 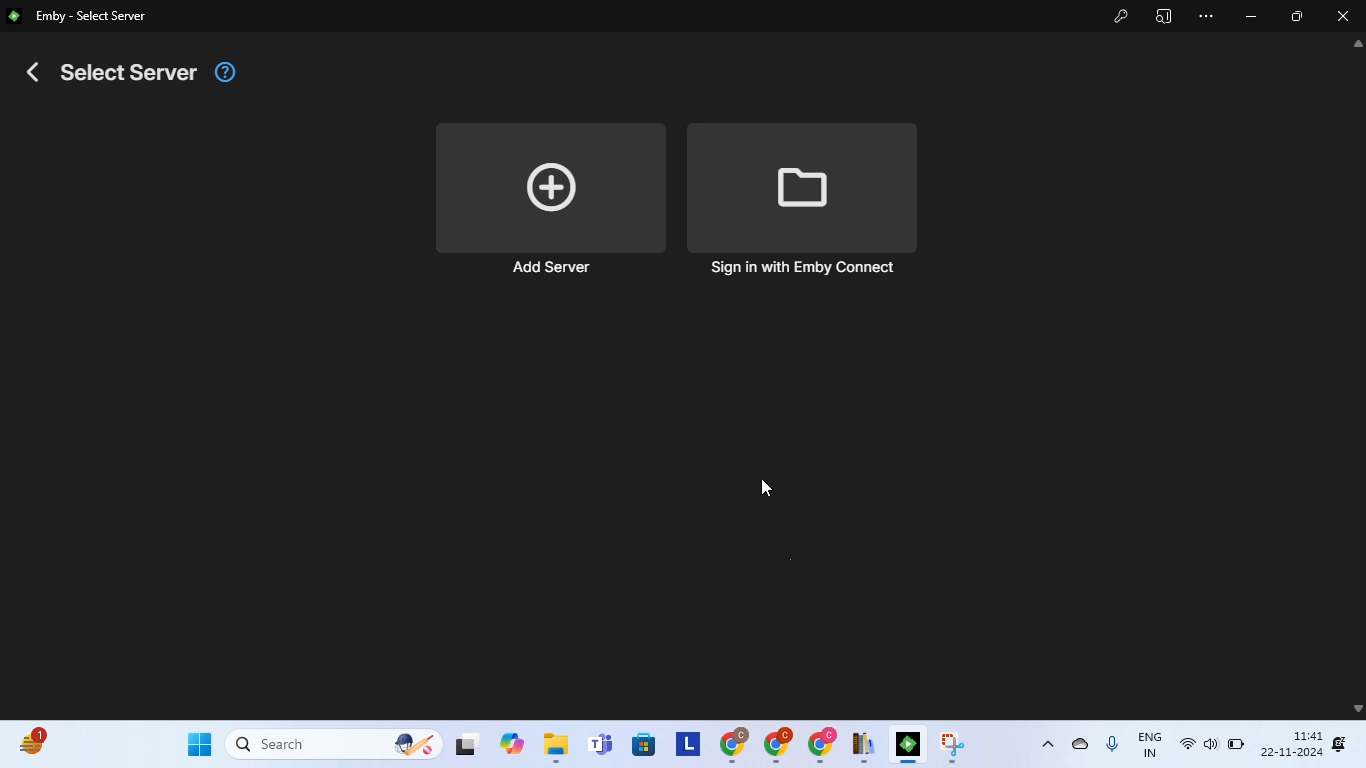 I want to click on help, so click(x=225, y=73).